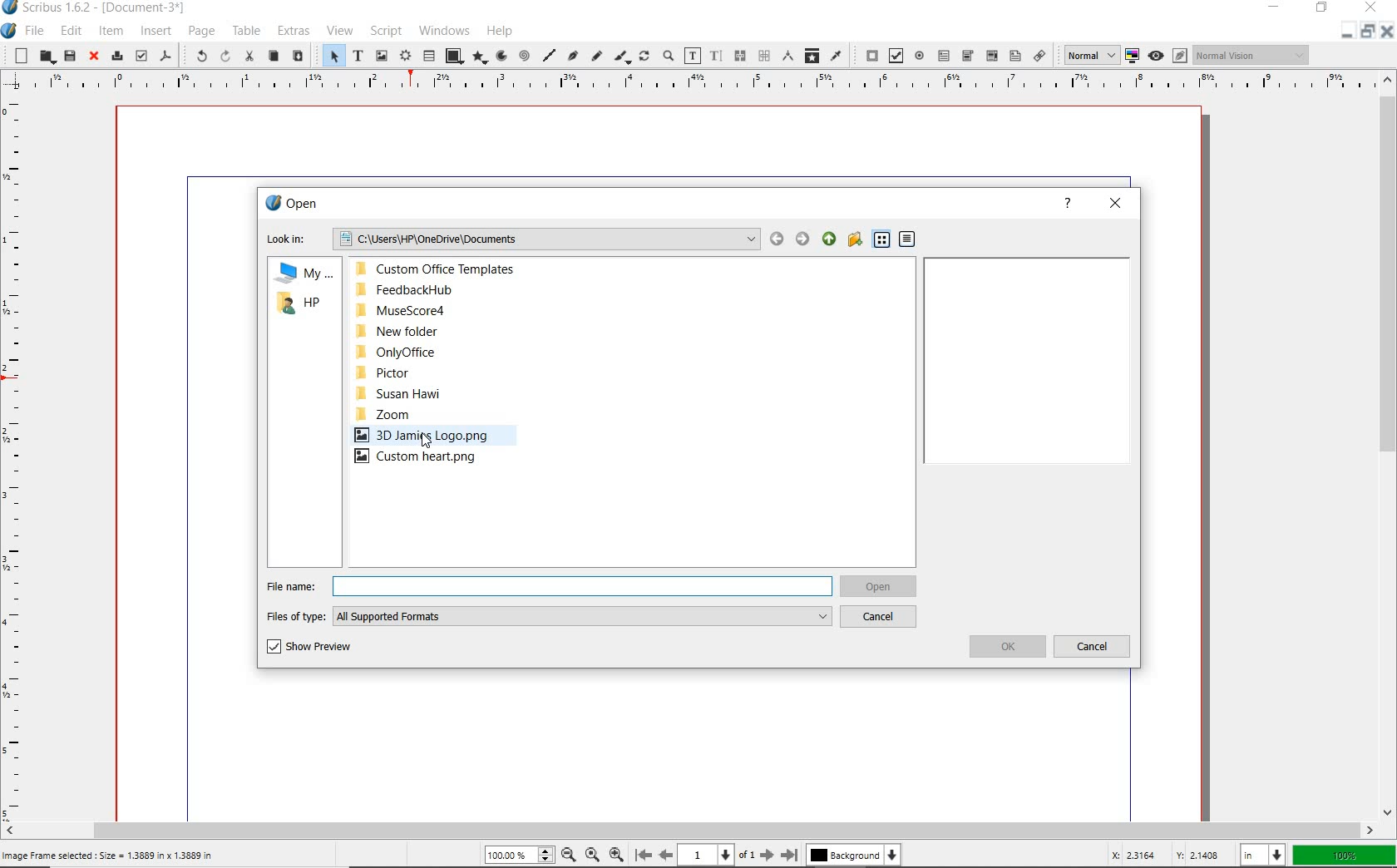  What do you see at coordinates (427, 457) in the screenshot?
I see `CUSTOM HEART` at bounding box center [427, 457].